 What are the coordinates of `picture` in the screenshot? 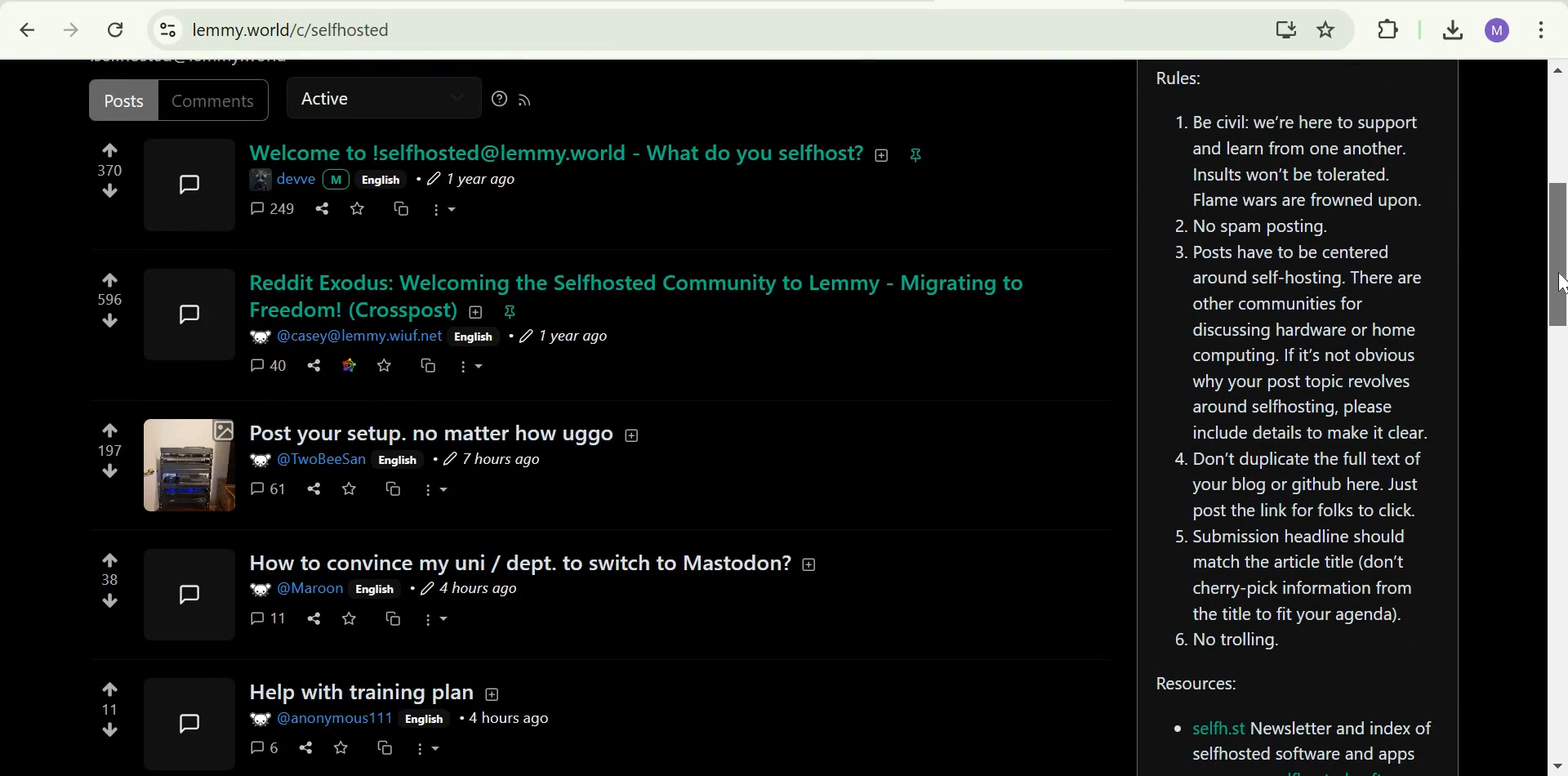 It's located at (337, 180).